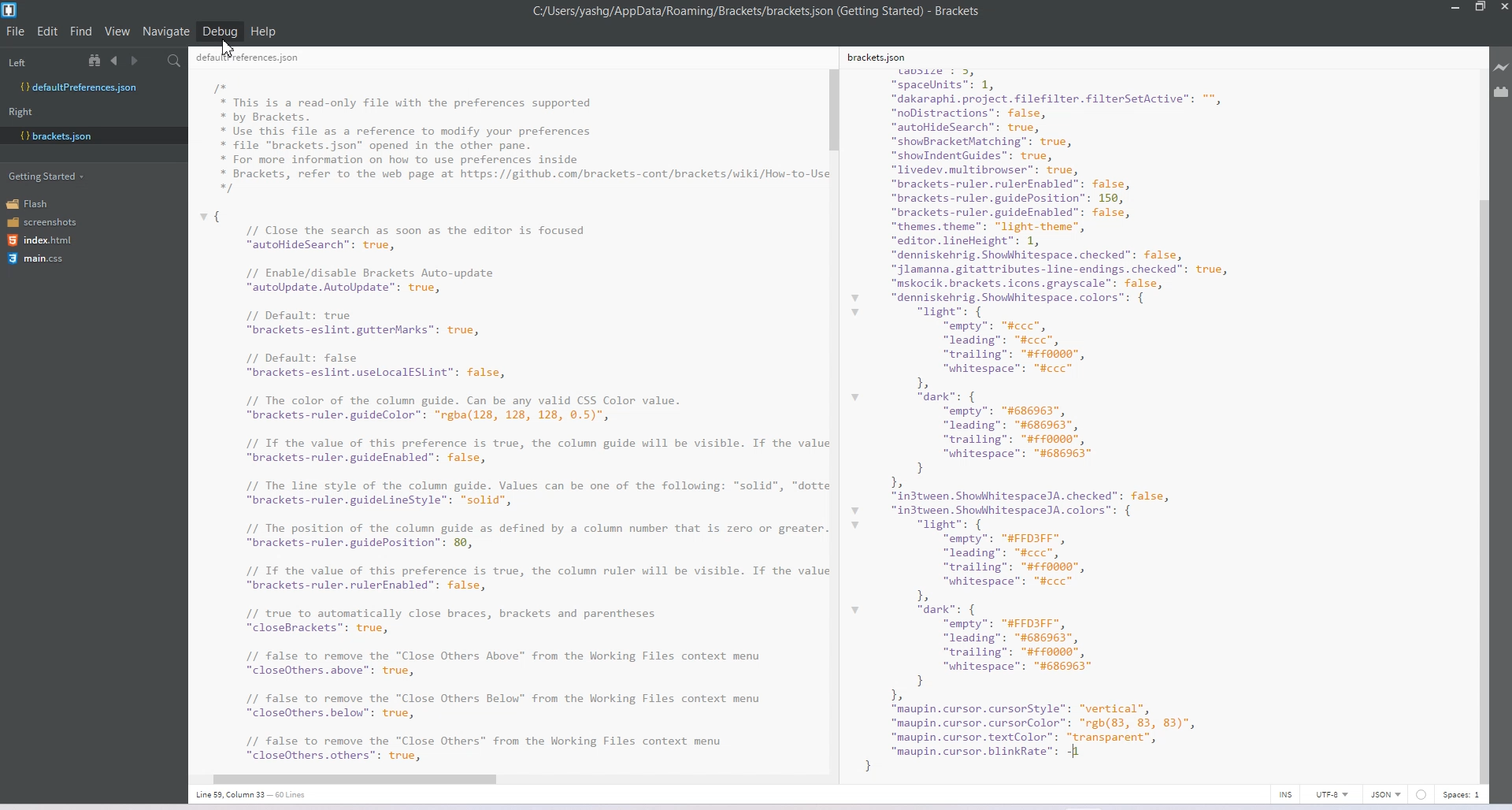 The image size is (1512, 810). What do you see at coordinates (1285, 794) in the screenshot?
I see `INS` at bounding box center [1285, 794].